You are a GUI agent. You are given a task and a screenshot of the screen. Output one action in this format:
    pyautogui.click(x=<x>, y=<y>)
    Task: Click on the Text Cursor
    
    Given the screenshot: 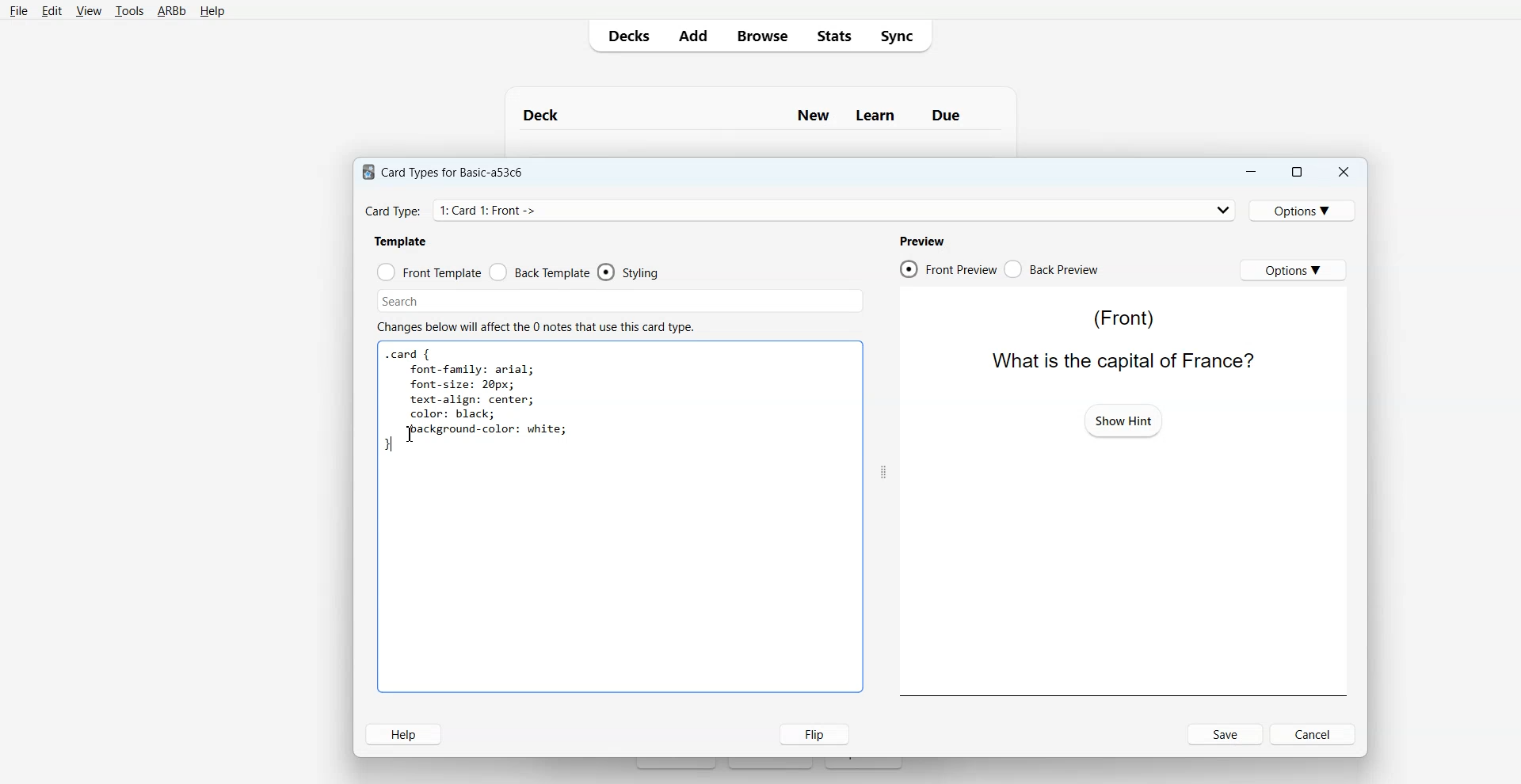 What is the action you would take?
    pyautogui.click(x=414, y=434)
    